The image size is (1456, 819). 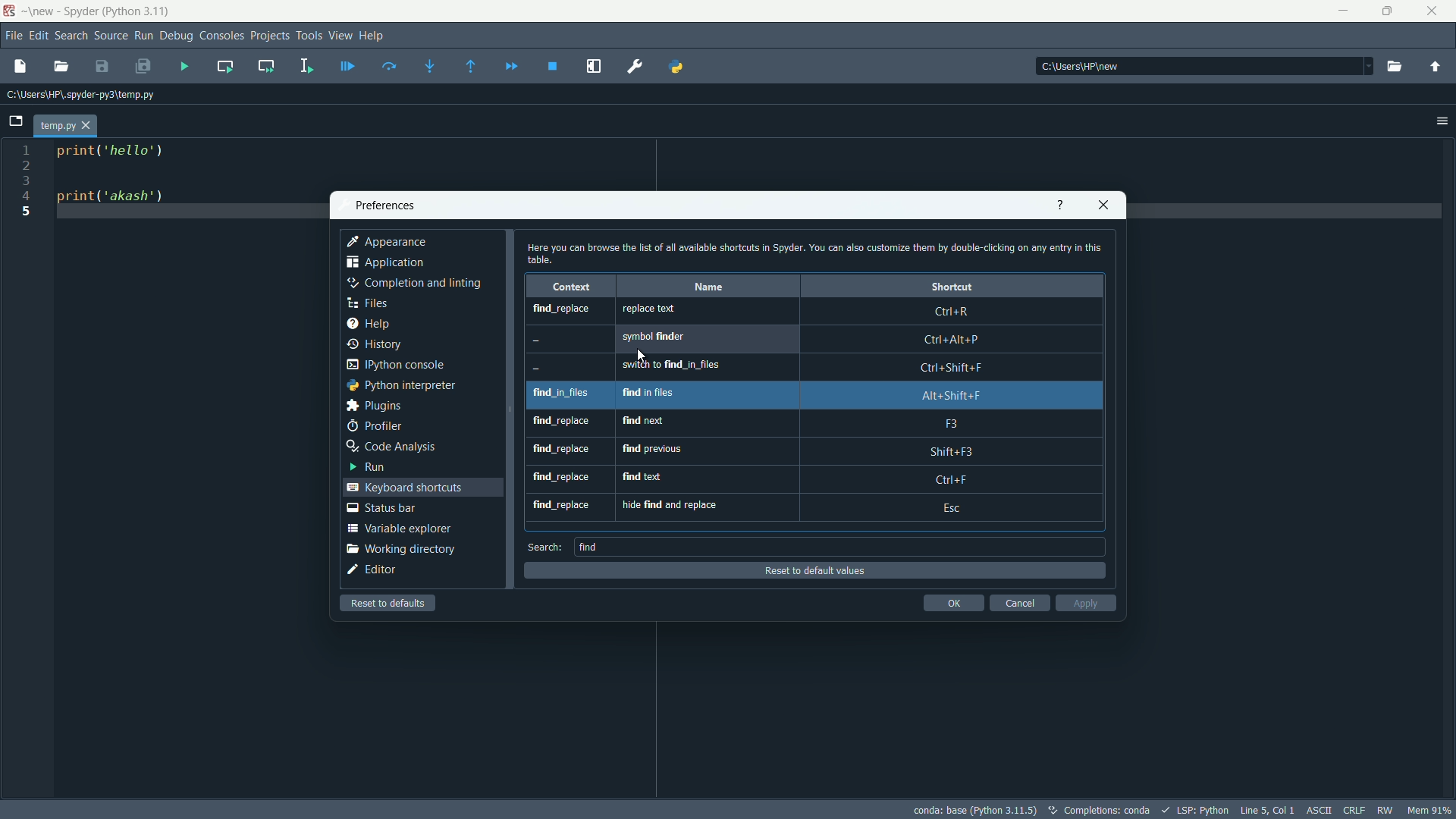 I want to click on CRLF, so click(x=1356, y=809).